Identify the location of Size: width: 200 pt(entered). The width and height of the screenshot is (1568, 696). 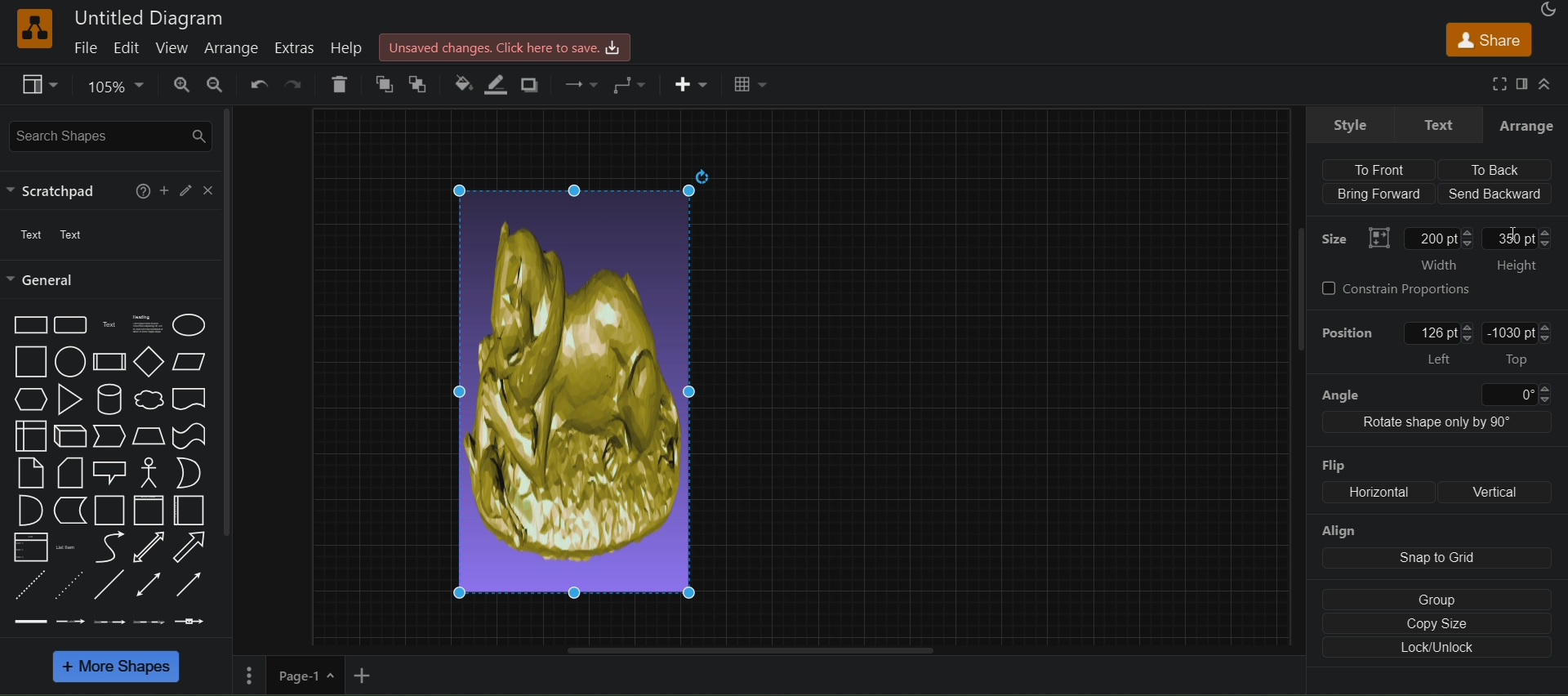
(1419, 236).